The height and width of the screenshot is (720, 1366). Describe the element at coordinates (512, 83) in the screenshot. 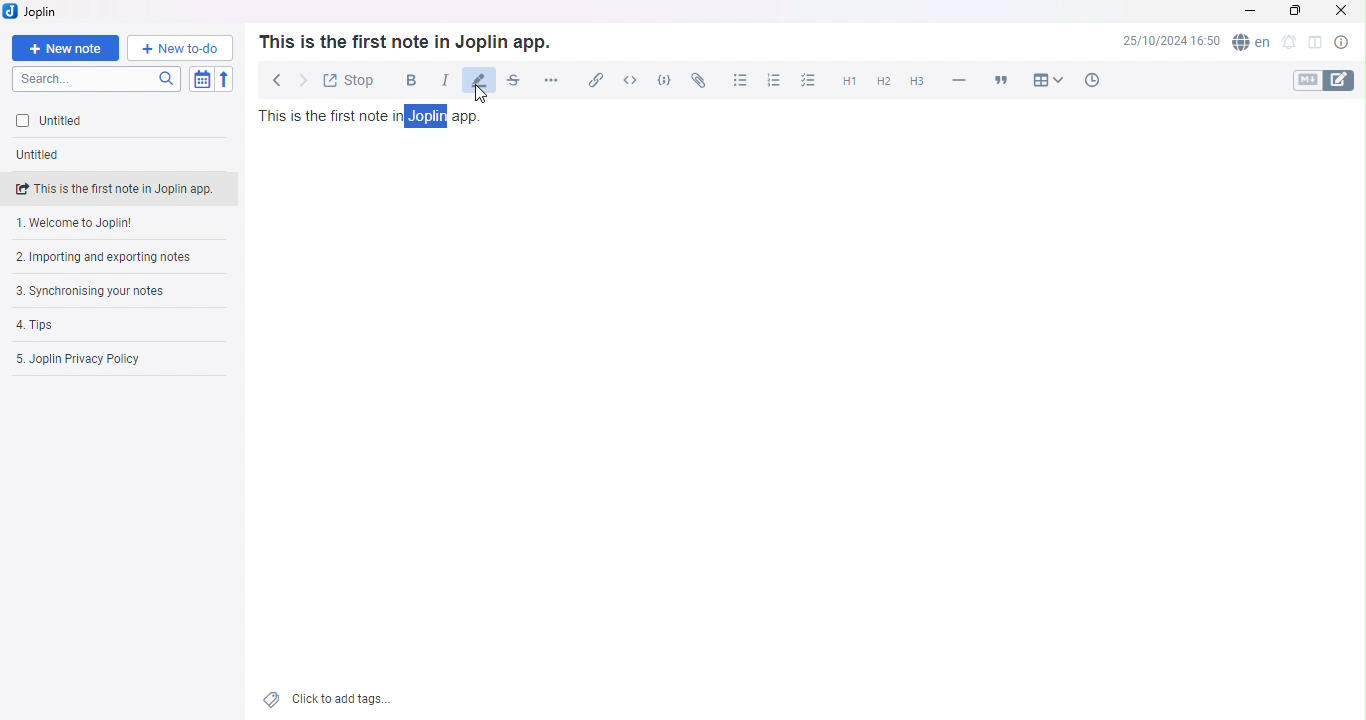

I see `Strikethrough` at that location.